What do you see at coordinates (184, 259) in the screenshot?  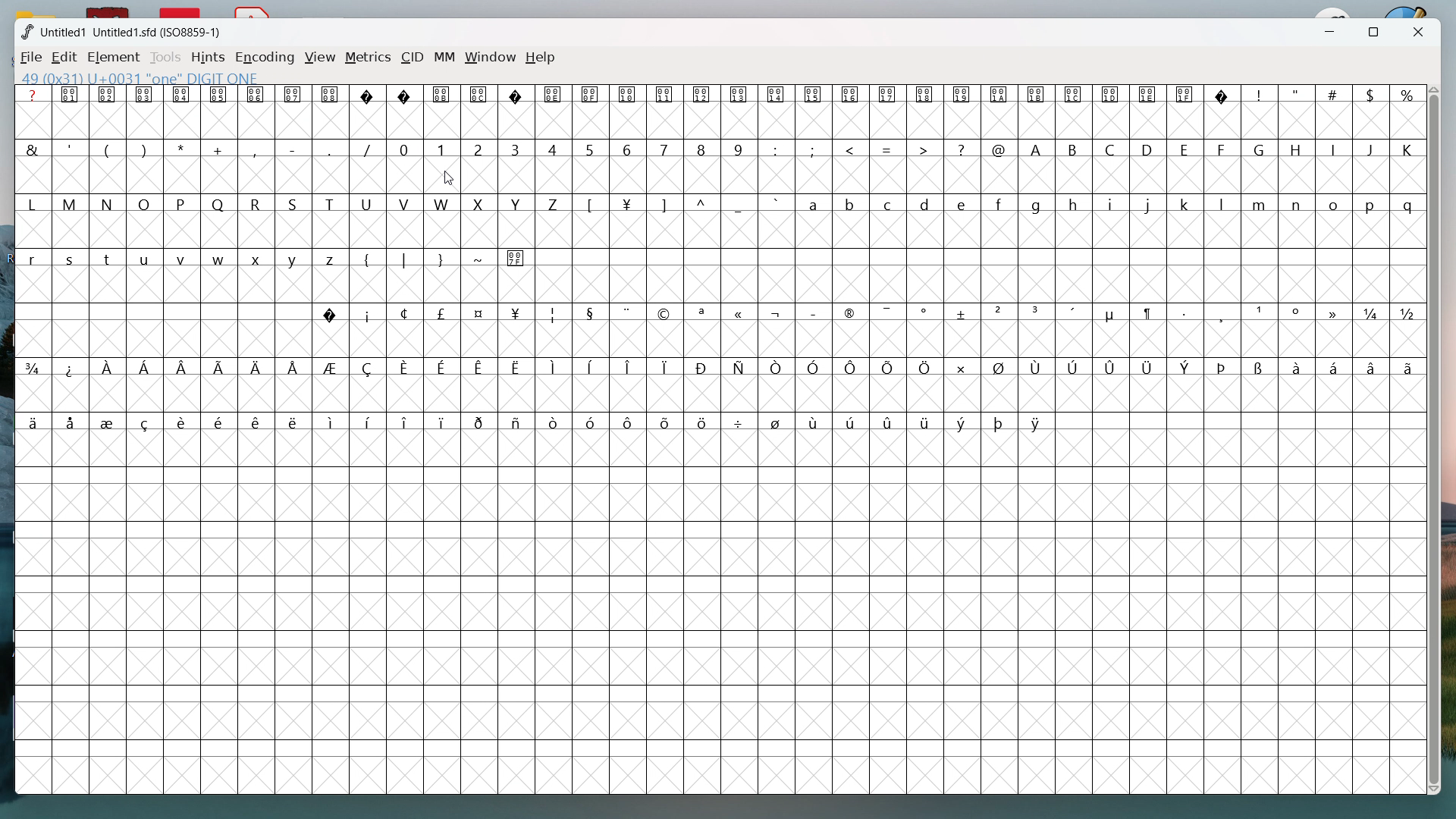 I see `v` at bounding box center [184, 259].